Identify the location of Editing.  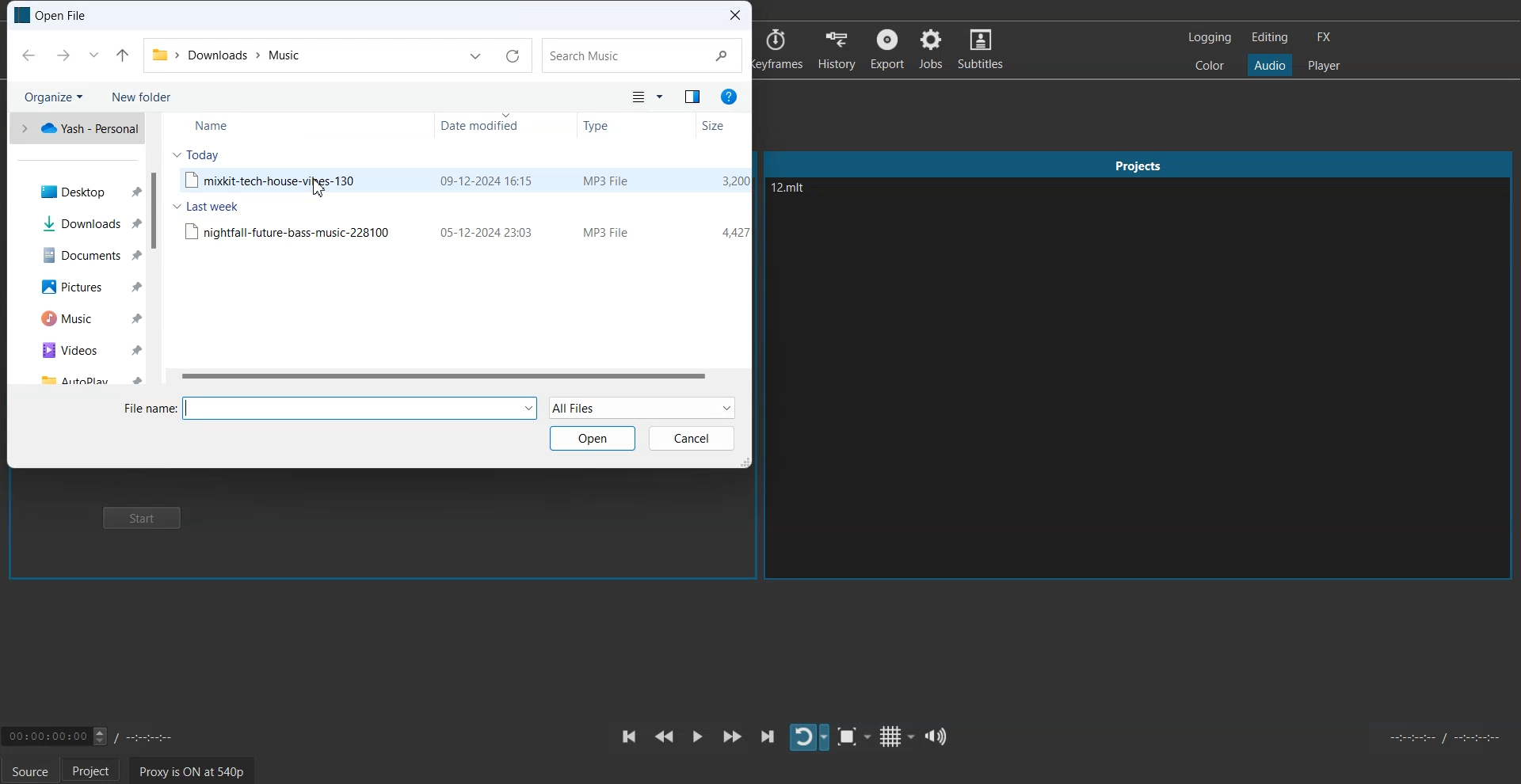
(1270, 37).